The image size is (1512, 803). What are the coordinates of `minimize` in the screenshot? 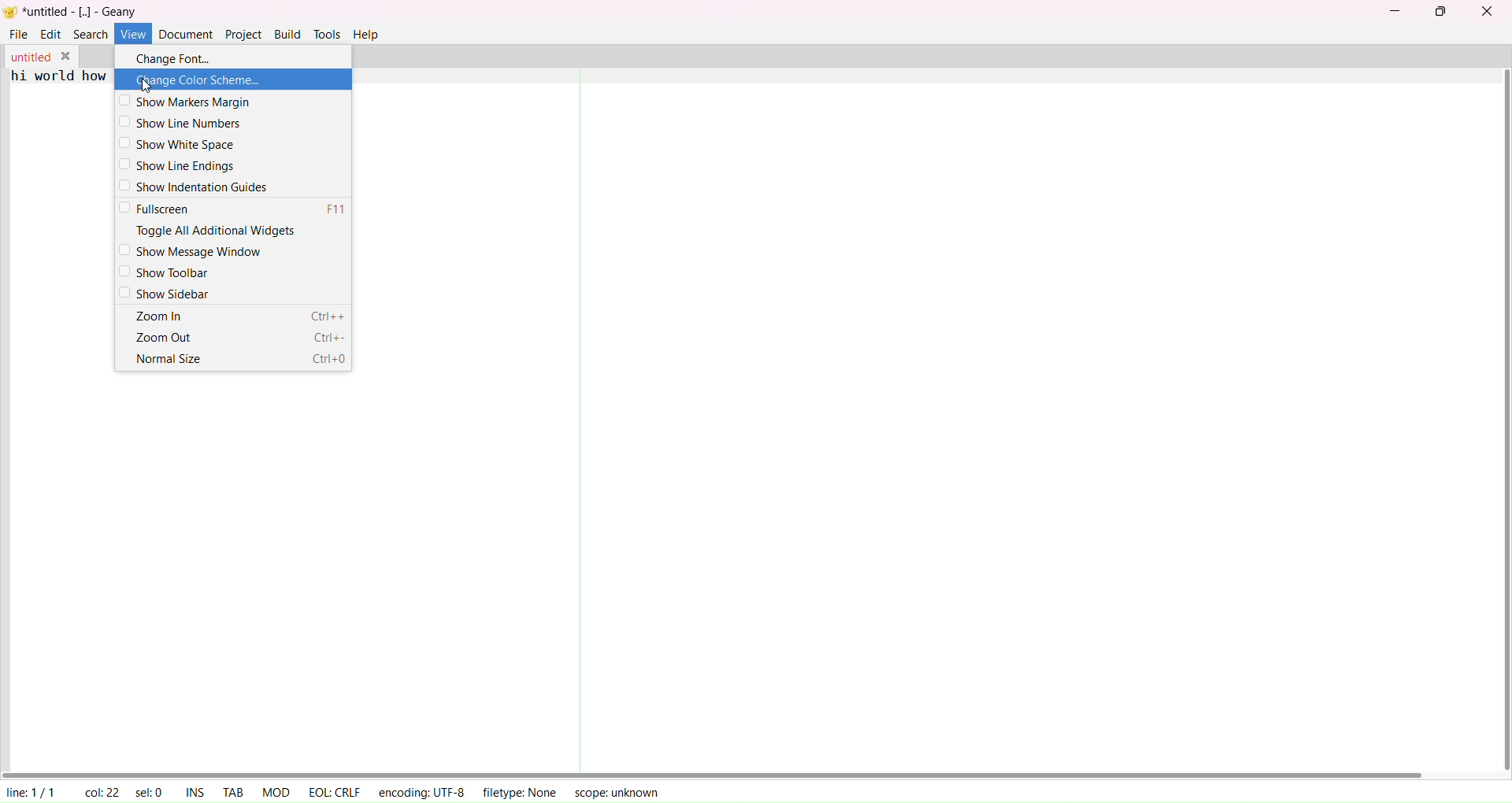 It's located at (1401, 9).